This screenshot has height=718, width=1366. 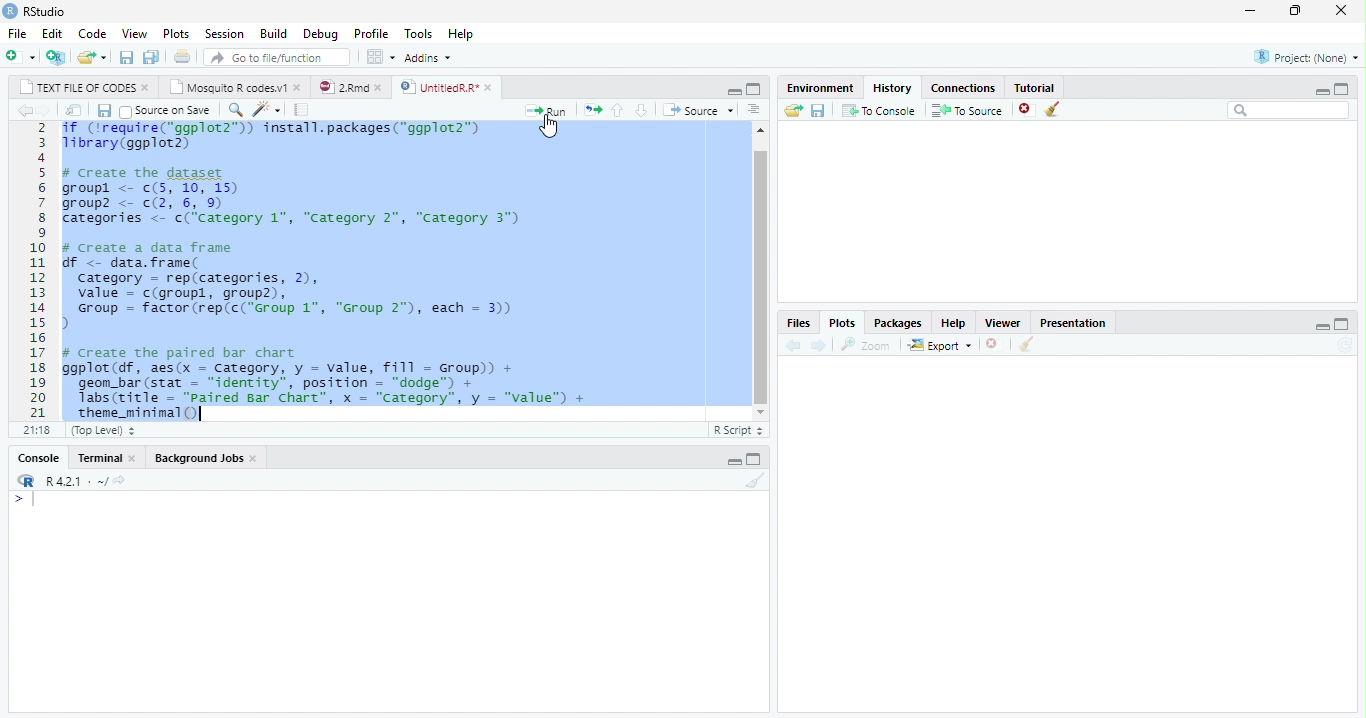 I want to click on maximize, so click(x=1346, y=89).